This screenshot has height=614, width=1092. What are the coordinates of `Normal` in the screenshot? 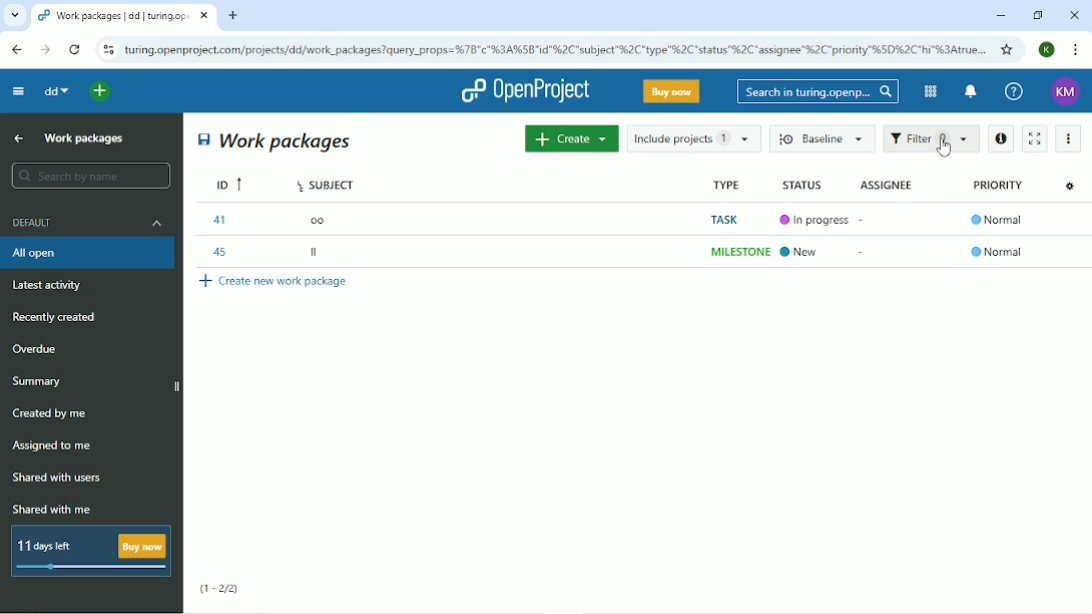 It's located at (997, 251).